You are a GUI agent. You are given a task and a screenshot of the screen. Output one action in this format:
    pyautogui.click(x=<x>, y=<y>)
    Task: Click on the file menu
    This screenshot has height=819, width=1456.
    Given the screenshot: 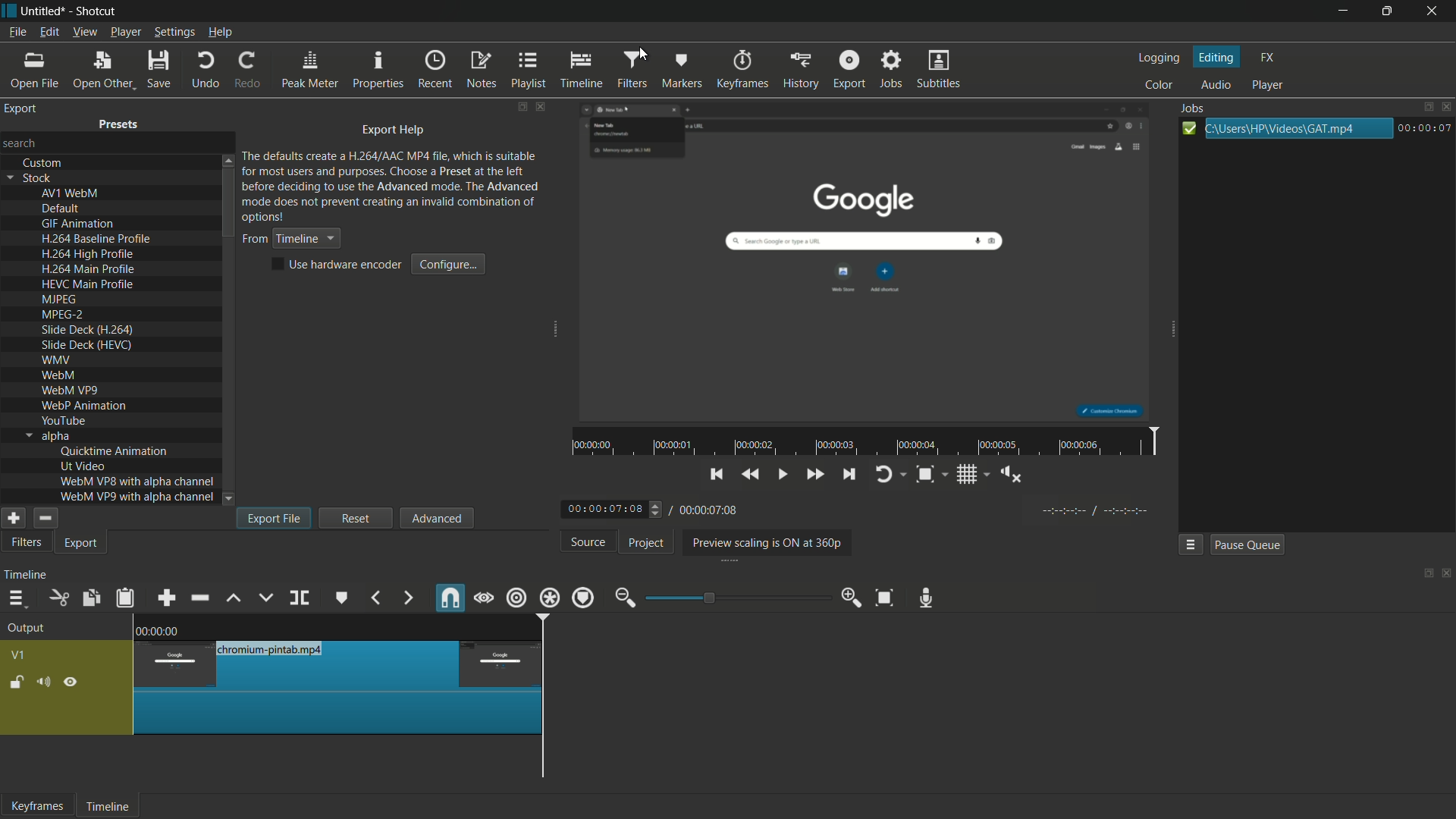 What is the action you would take?
    pyautogui.click(x=17, y=32)
    